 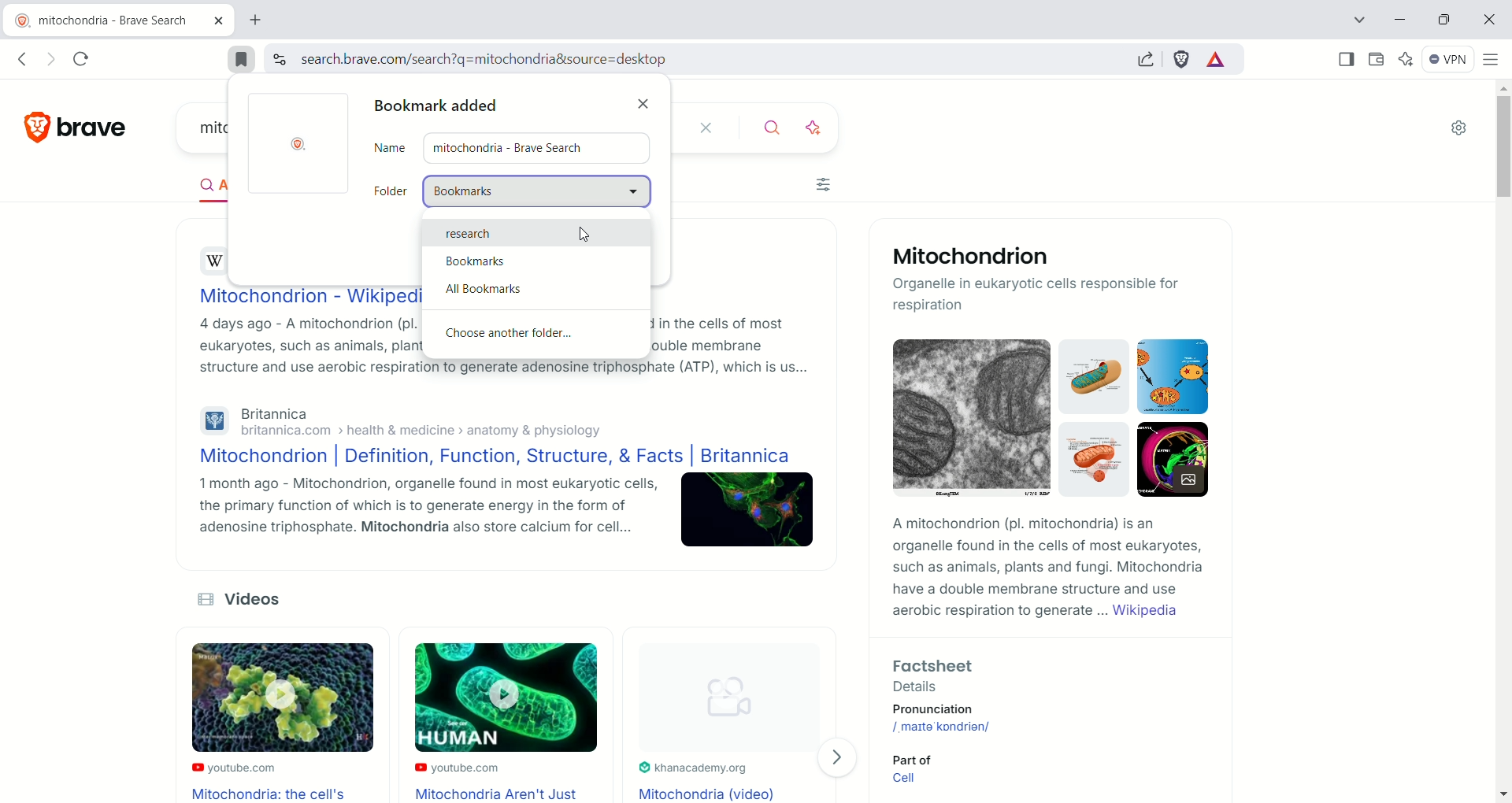 What do you see at coordinates (20, 59) in the screenshot?
I see `go back` at bounding box center [20, 59].